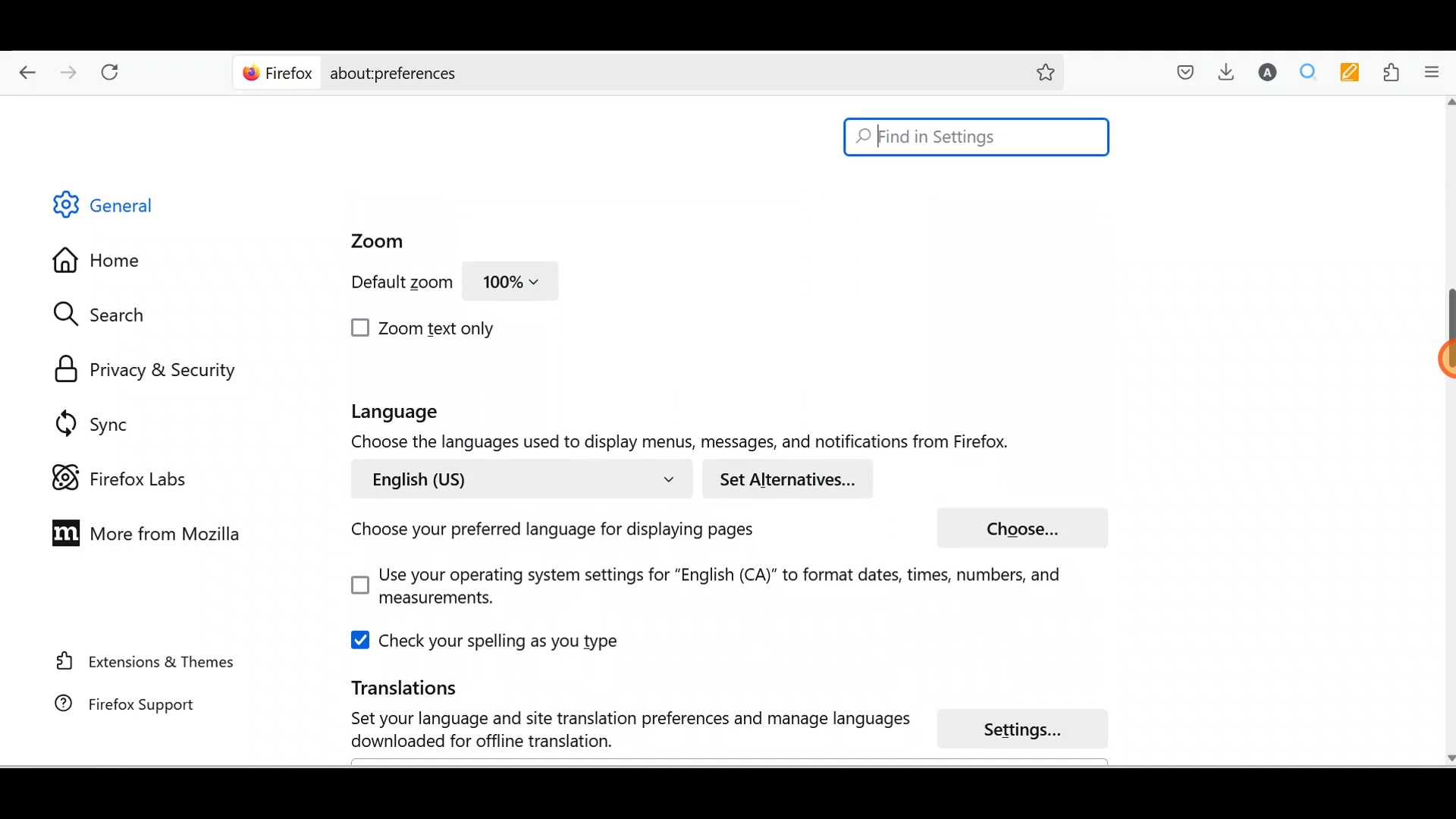  Describe the element at coordinates (1437, 71) in the screenshot. I see `Open application menu` at that location.